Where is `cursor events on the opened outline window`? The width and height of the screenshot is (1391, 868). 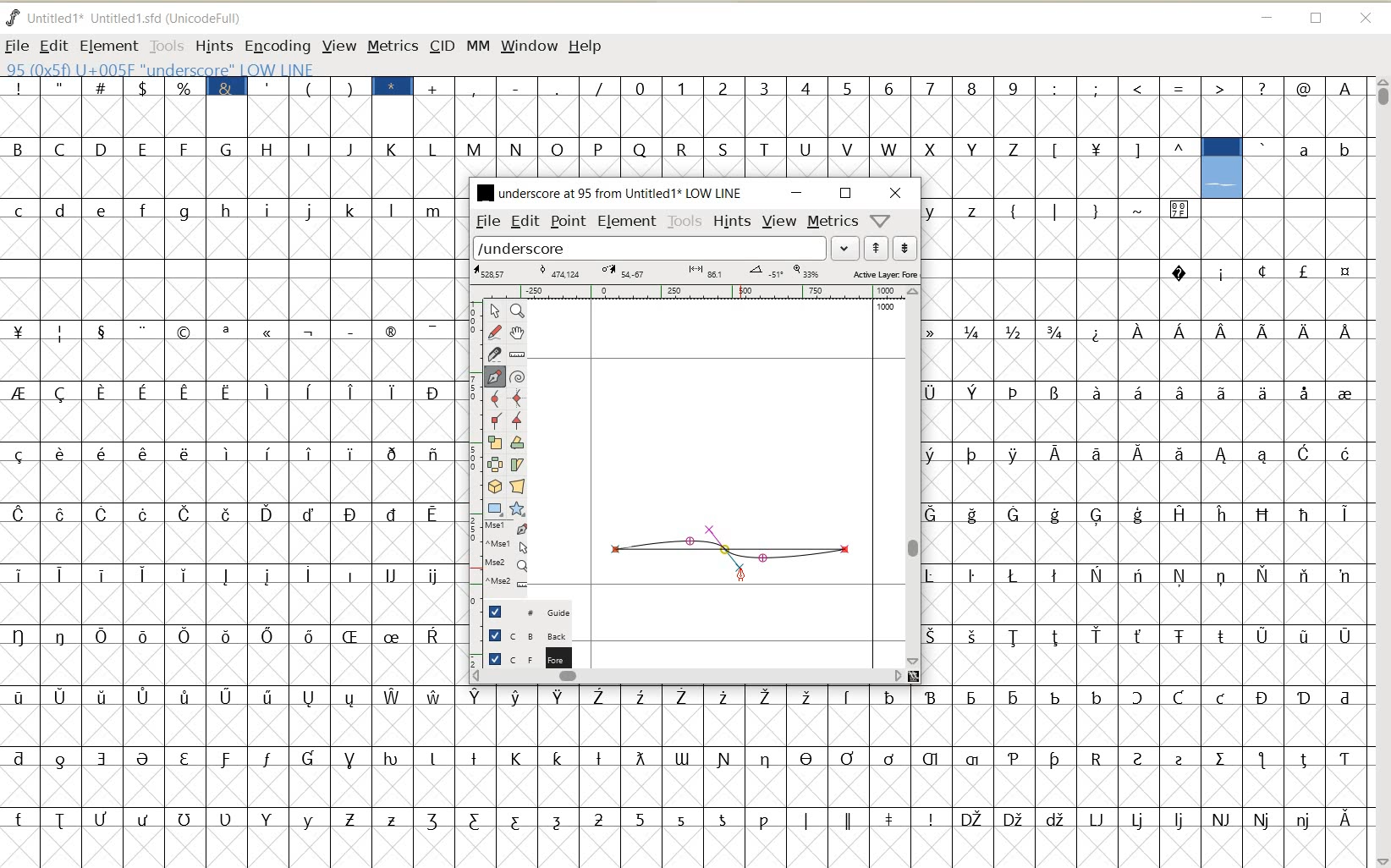
cursor events on the opened outline window is located at coordinates (507, 556).